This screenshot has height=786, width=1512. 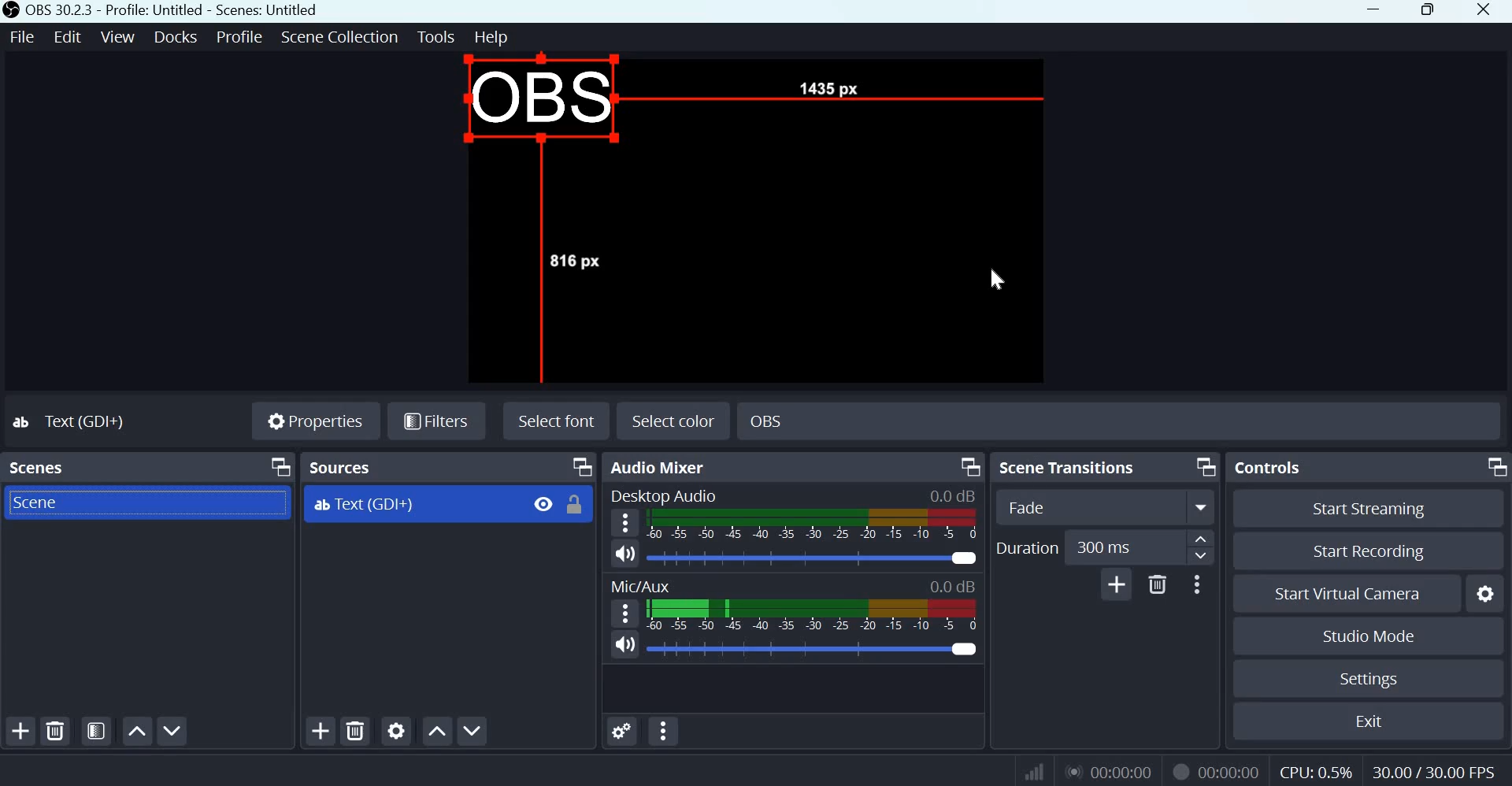 I want to click on Move scene up, so click(x=136, y=731).